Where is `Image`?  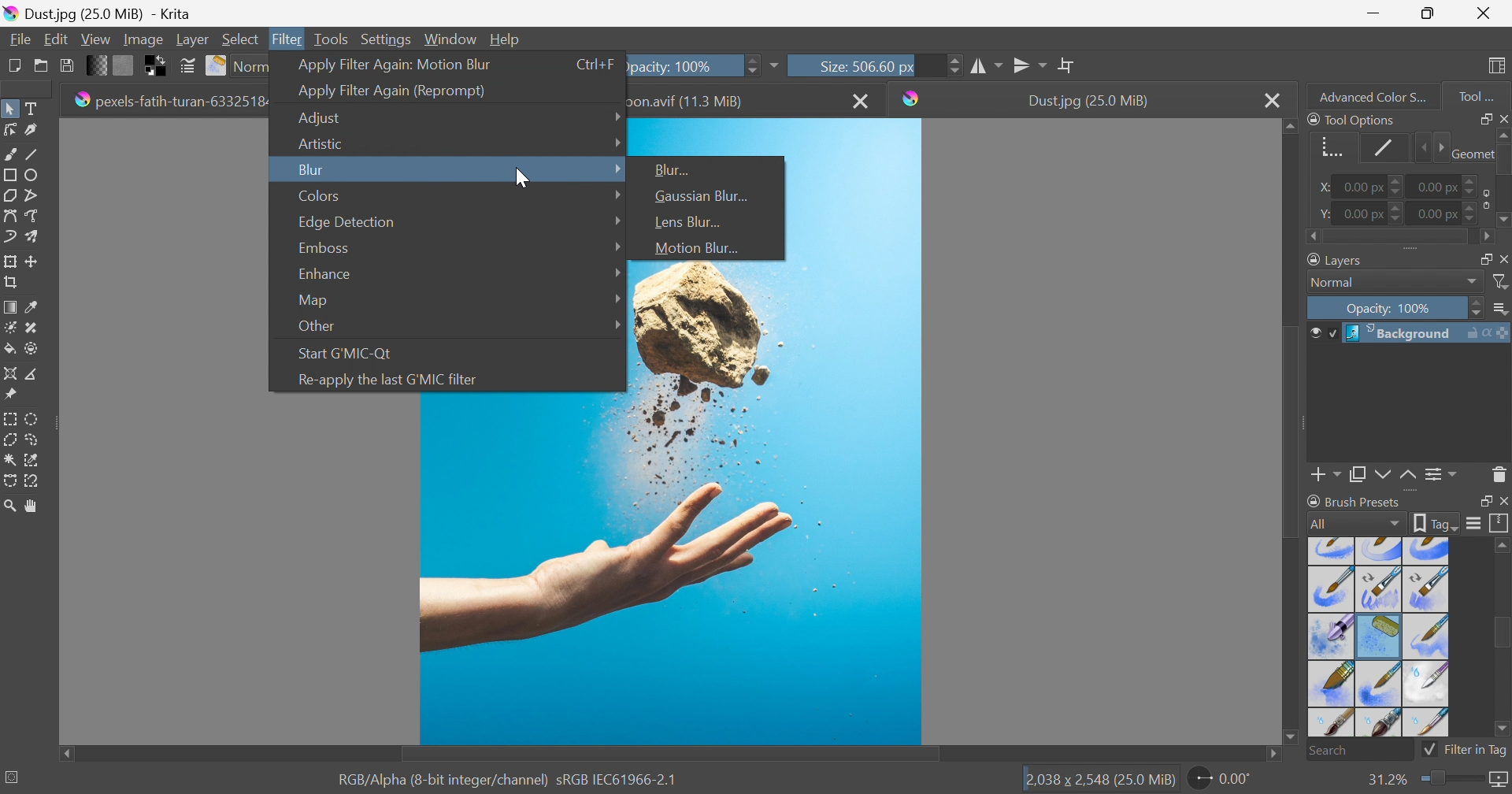 Image is located at coordinates (142, 39).